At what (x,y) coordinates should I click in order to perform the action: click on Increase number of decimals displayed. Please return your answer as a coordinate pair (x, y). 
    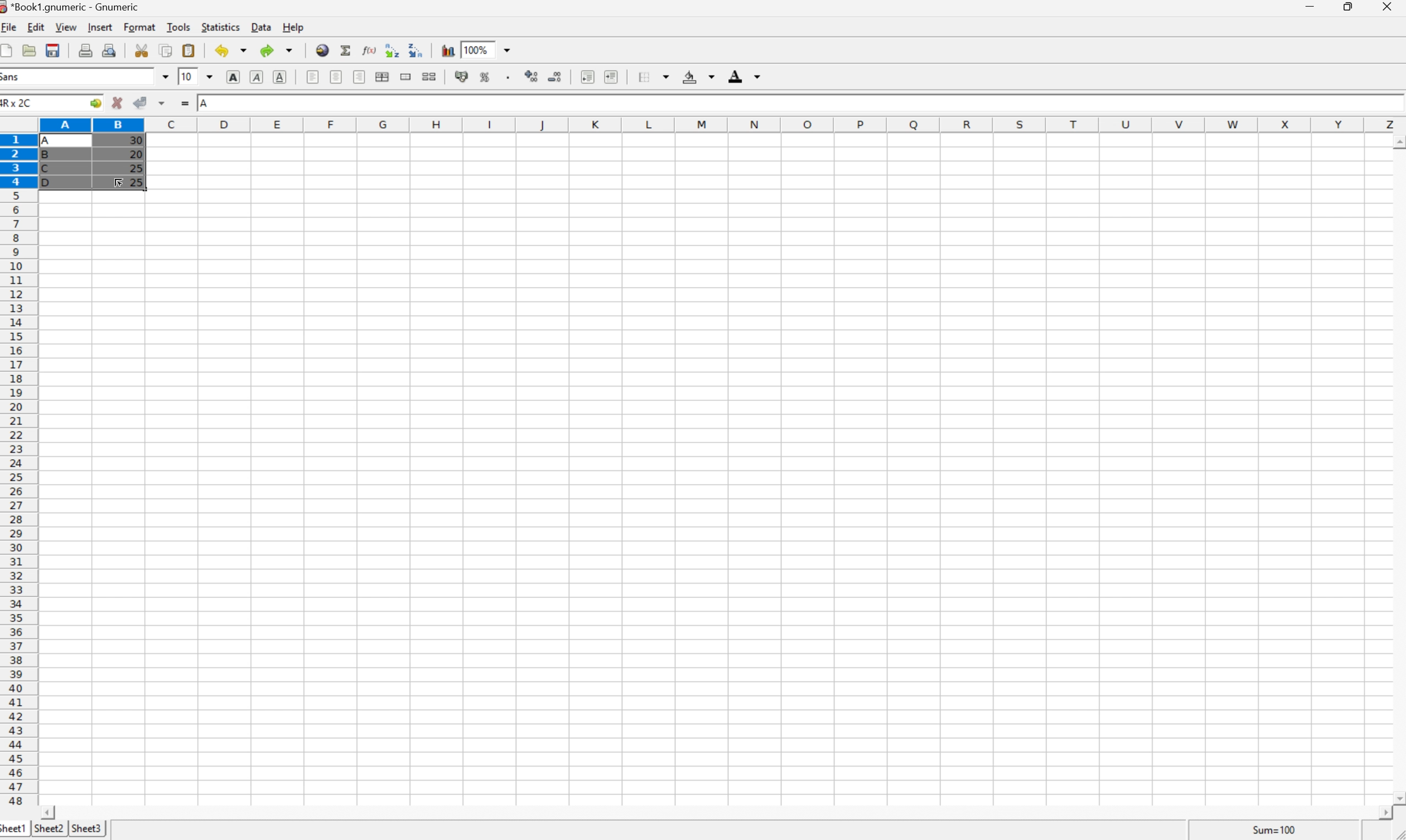
    Looking at the image, I should click on (532, 78).